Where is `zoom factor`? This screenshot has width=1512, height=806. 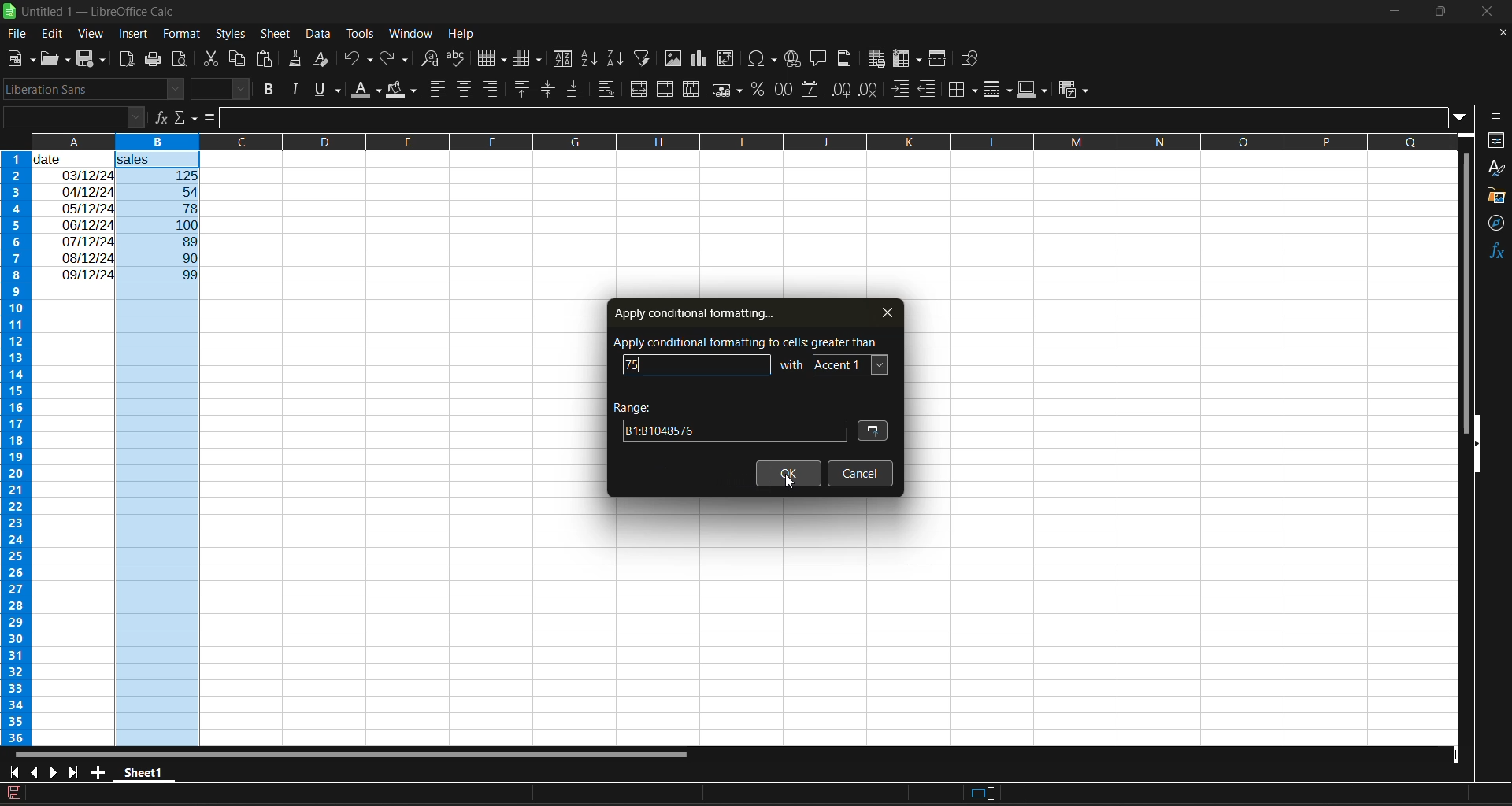
zoom factor is located at coordinates (1487, 795).